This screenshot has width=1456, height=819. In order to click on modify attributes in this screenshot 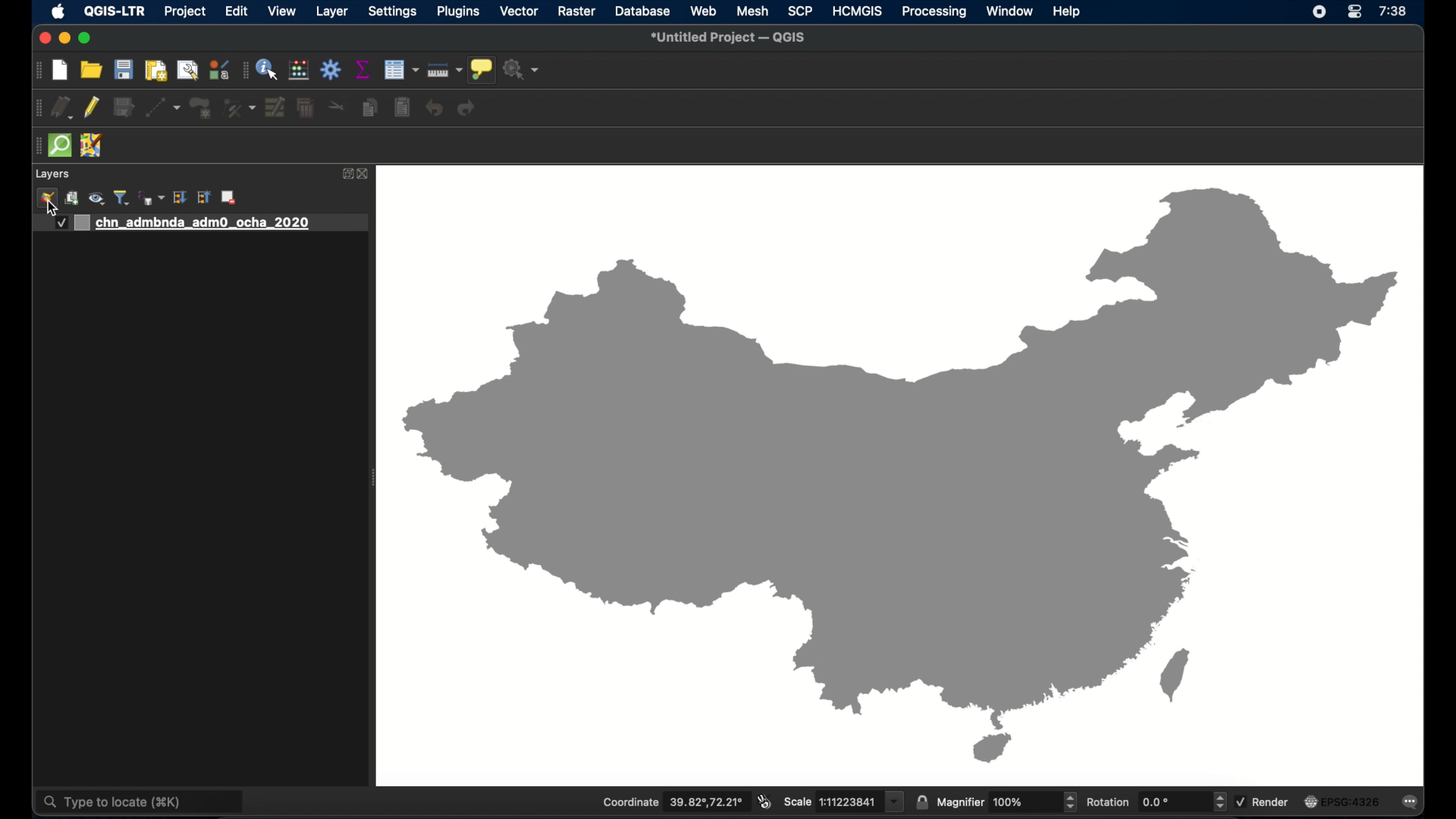, I will do `click(275, 108)`.